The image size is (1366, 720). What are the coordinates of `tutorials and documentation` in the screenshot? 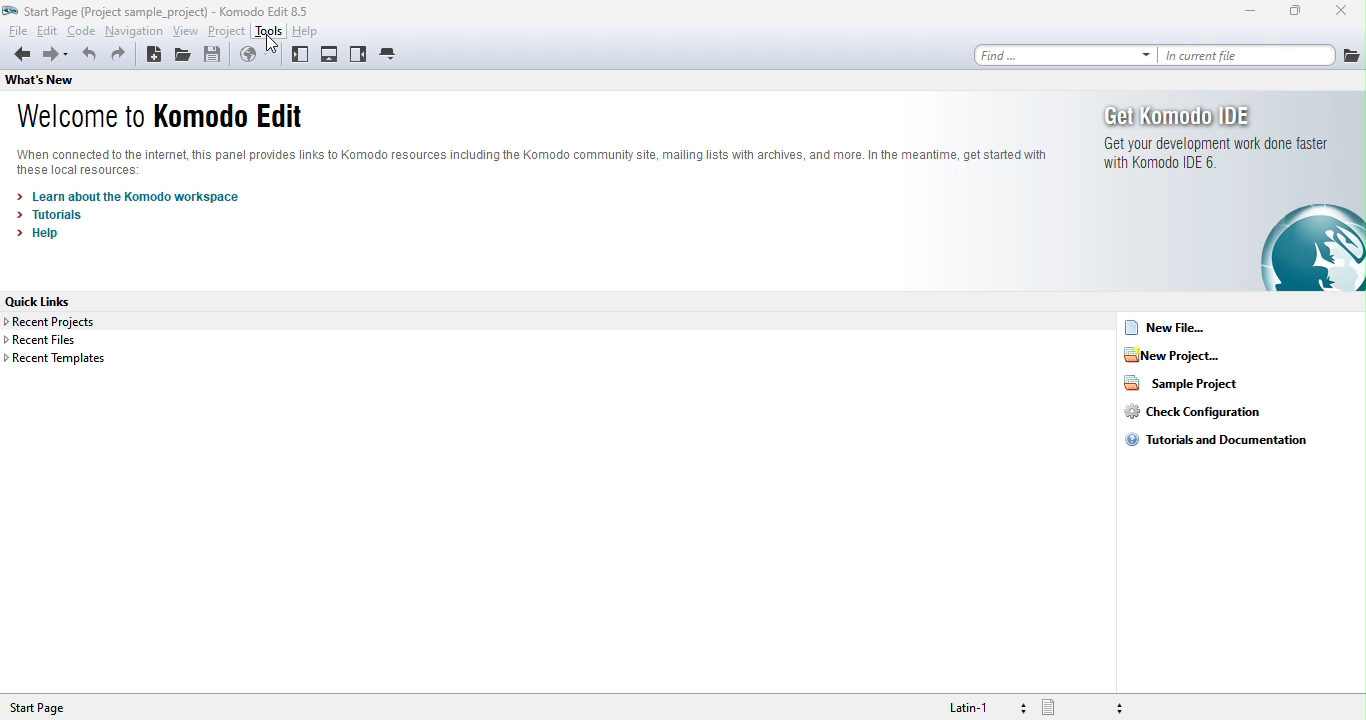 It's located at (1217, 445).